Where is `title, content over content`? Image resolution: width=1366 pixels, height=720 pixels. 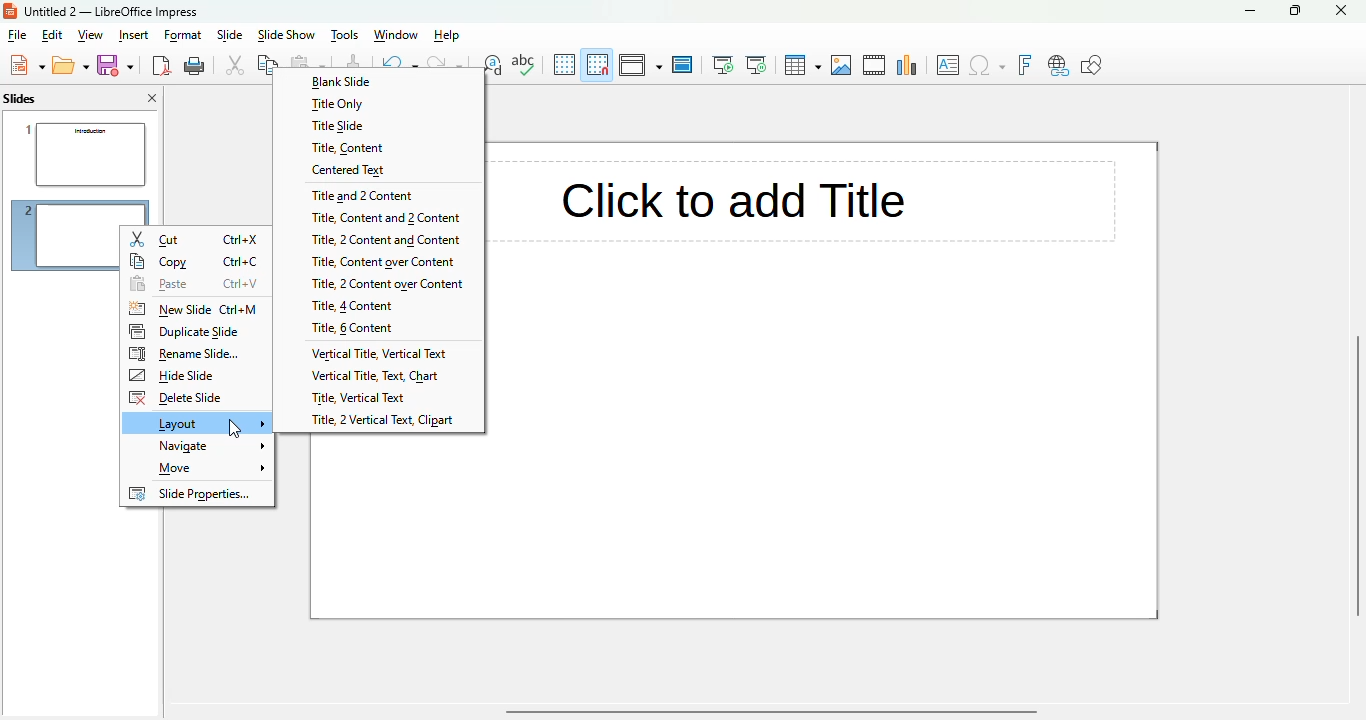
title, content over content is located at coordinates (379, 261).